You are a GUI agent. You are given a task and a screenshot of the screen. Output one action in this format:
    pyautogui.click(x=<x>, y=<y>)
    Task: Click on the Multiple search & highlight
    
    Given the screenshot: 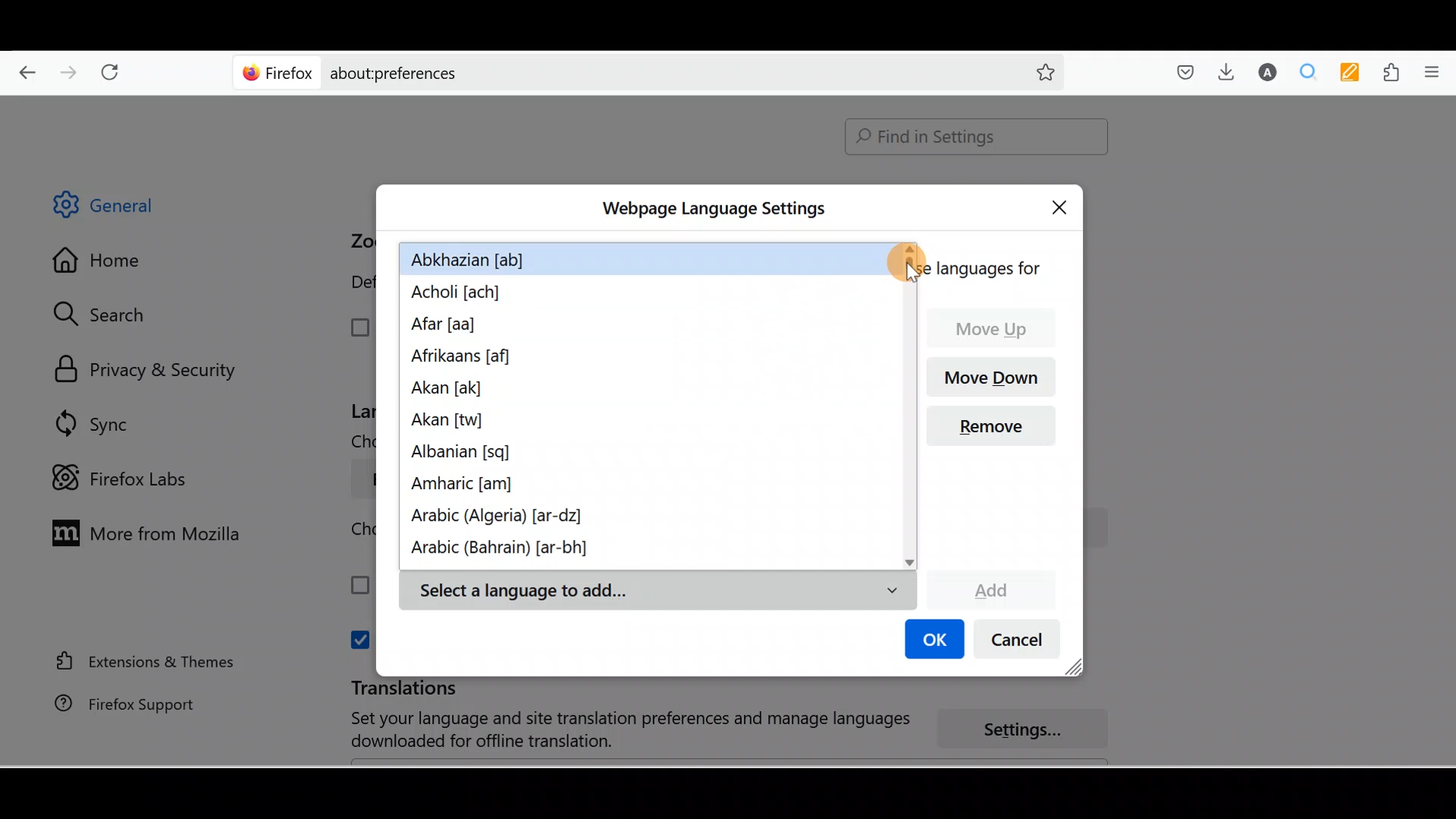 What is the action you would take?
    pyautogui.click(x=1309, y=71)
    